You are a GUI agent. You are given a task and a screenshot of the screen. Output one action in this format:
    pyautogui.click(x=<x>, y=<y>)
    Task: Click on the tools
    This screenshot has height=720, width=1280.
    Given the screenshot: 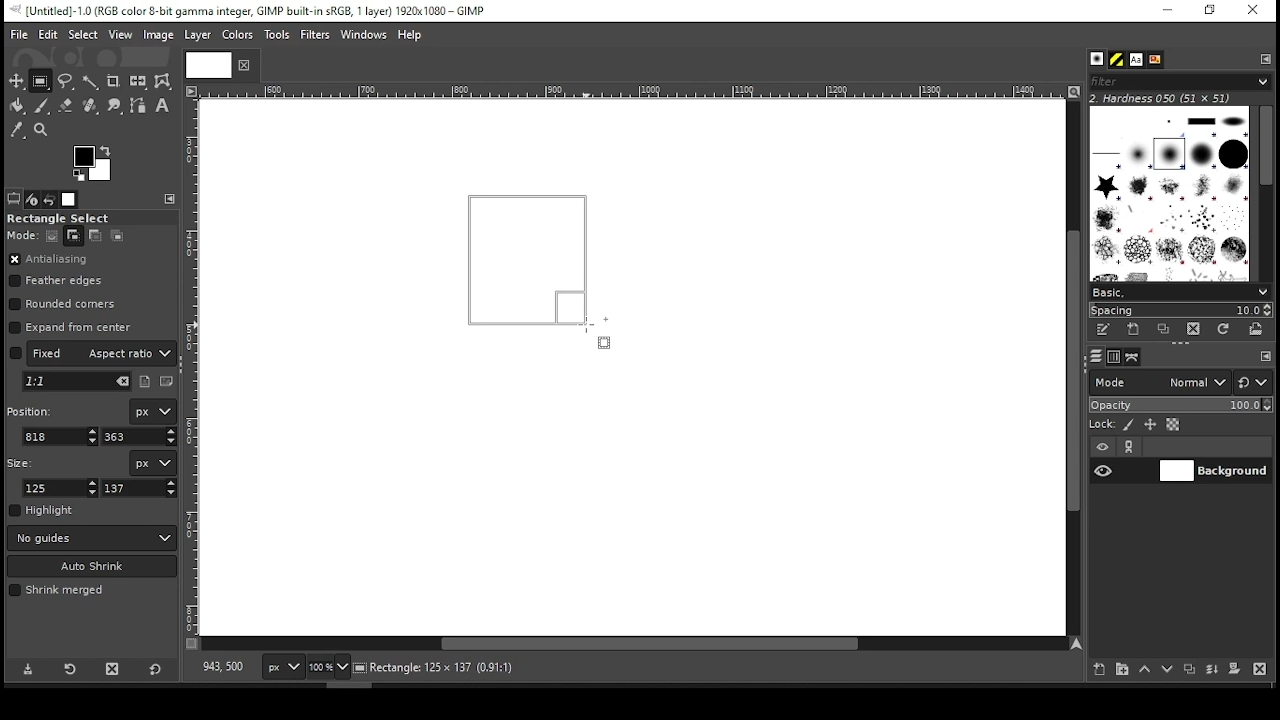 What is the action you would take?
    pyautogui.click(x=279, y=36)
    